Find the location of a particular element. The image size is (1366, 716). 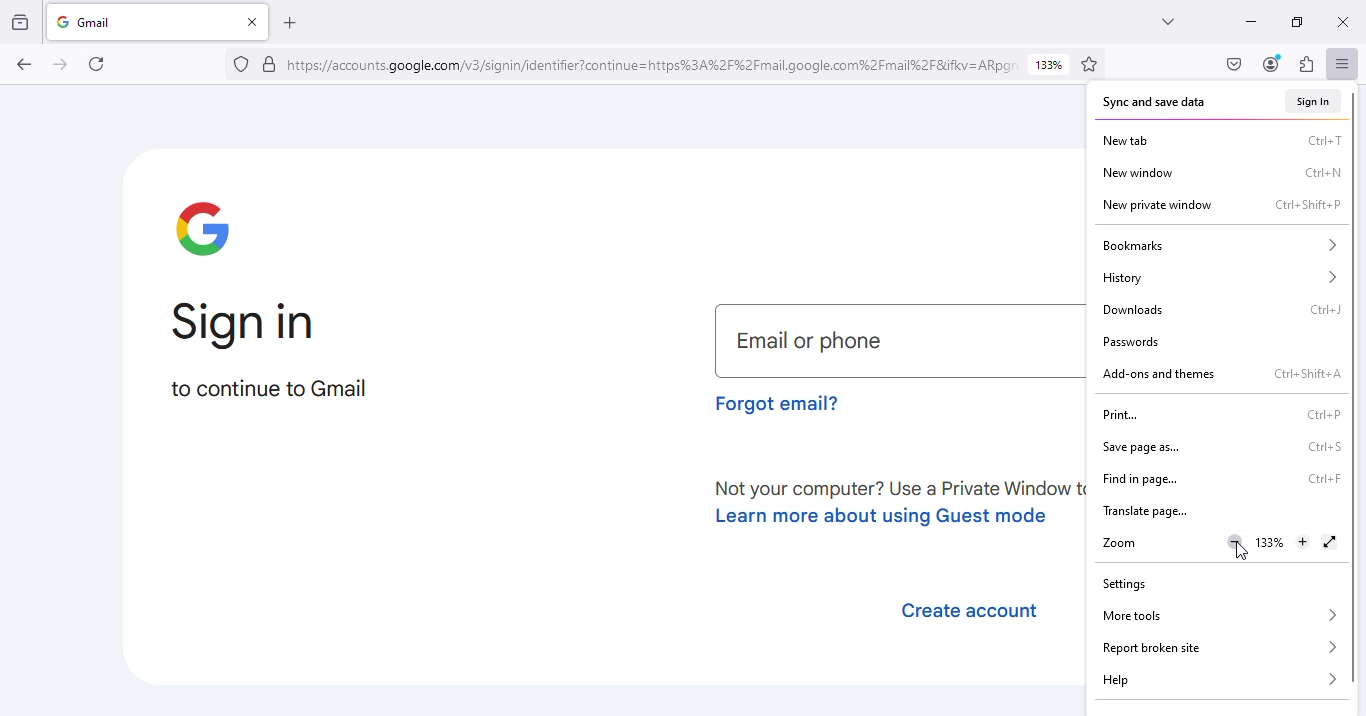

create account is located at coordinates (969, 610).